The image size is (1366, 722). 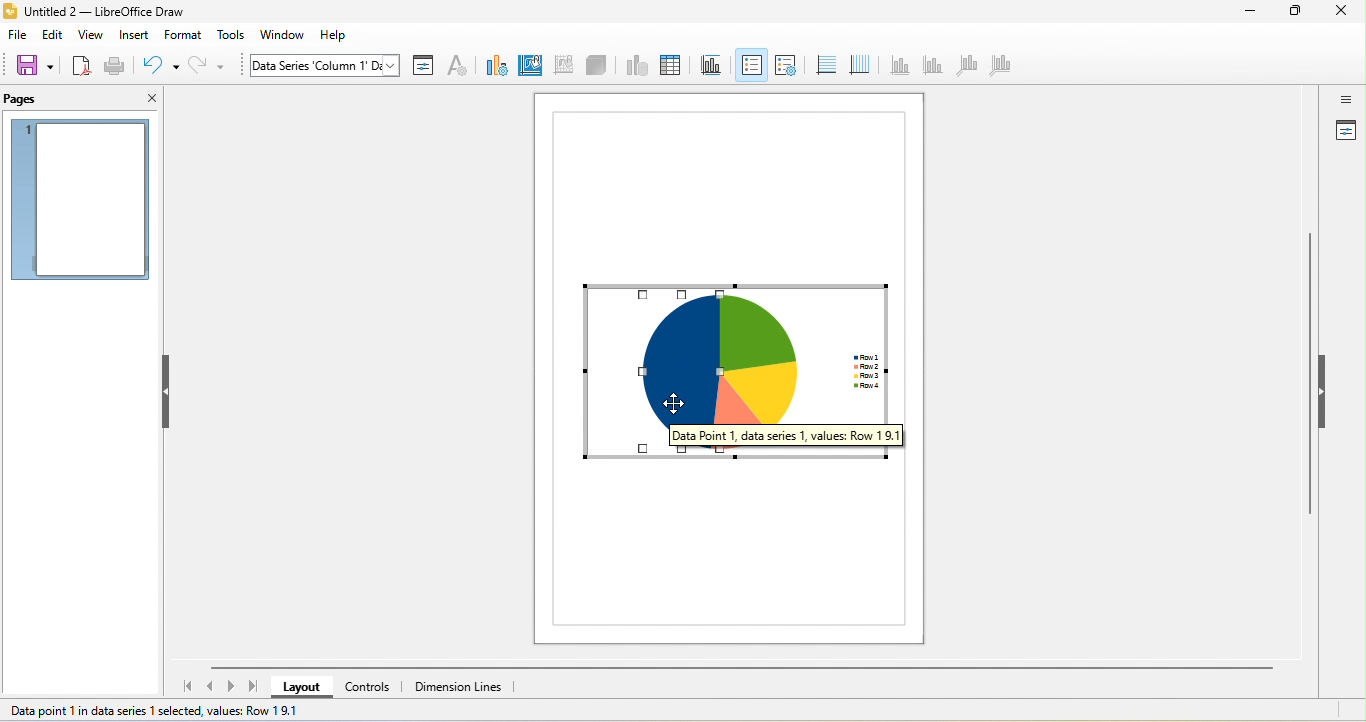 I want to click on last, so click(x=253, y=685).